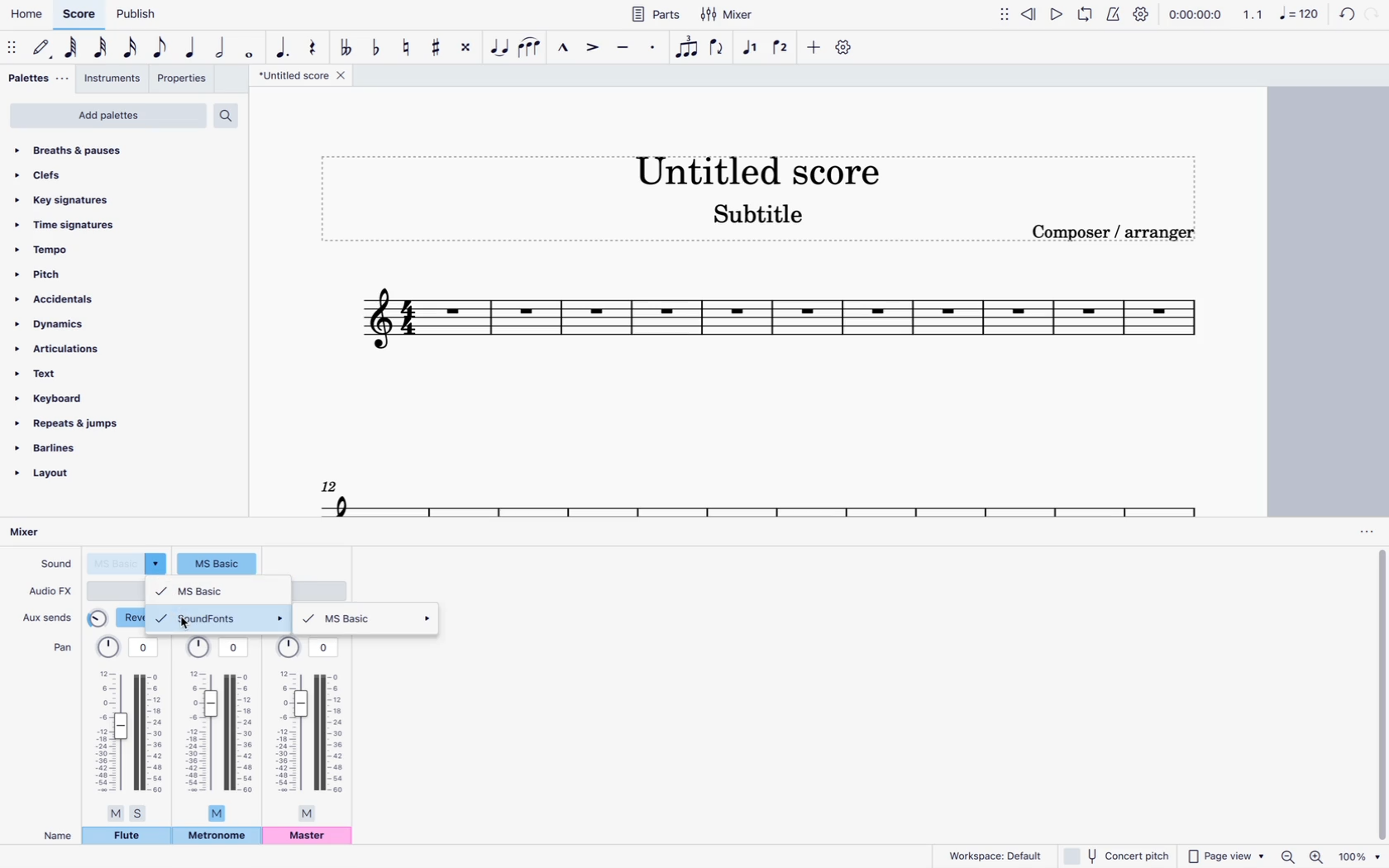 This screenshot has width=1389, height=868. Describe the element at coordinates (756, 167) in the screenshot. I see `score title` at that location.